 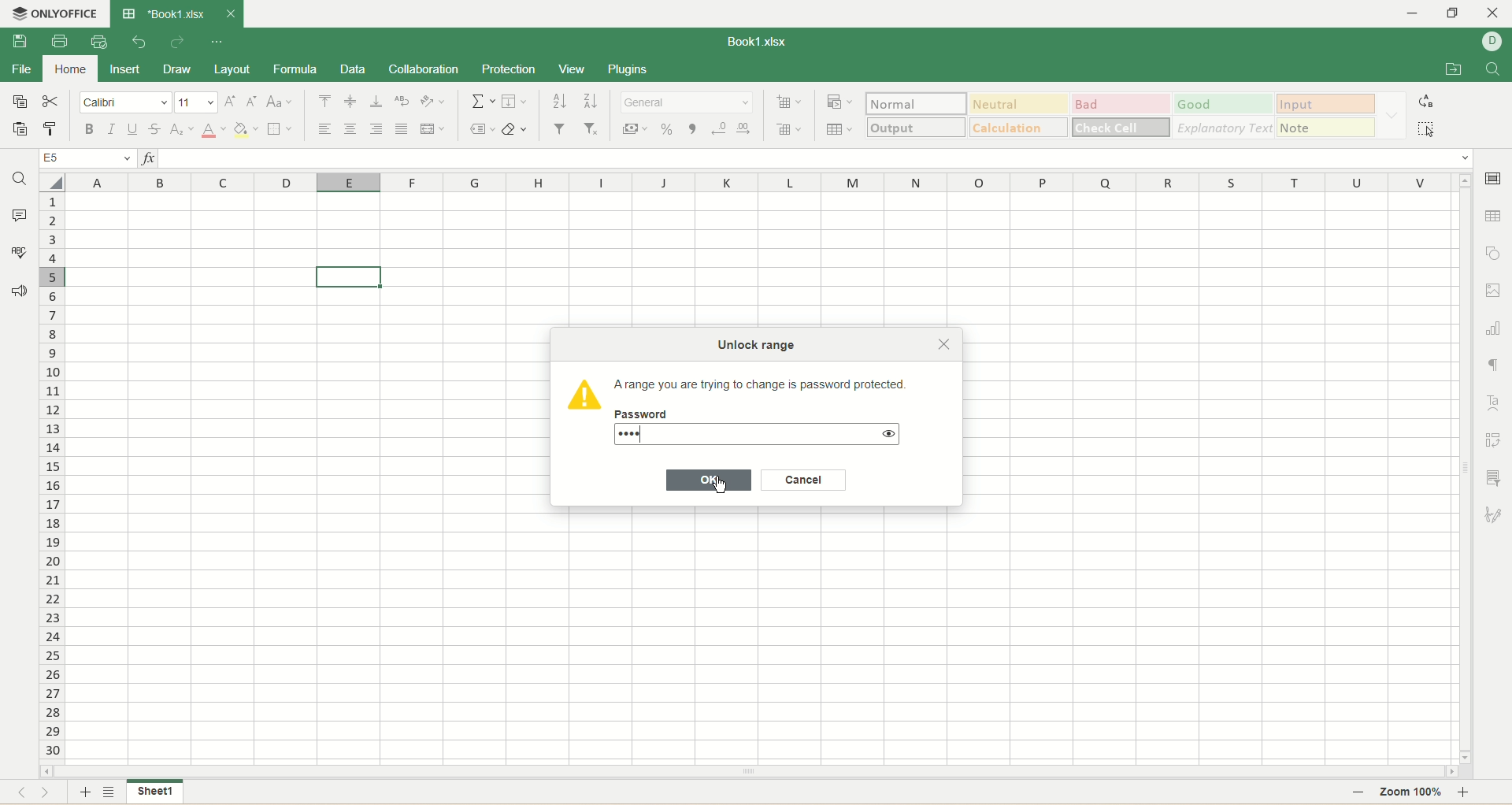 What do you see at coordinates (763, 384) in the screenshot?
I see `‘Arange you are trying to change is password protected.` at bounding box center [763, 384].